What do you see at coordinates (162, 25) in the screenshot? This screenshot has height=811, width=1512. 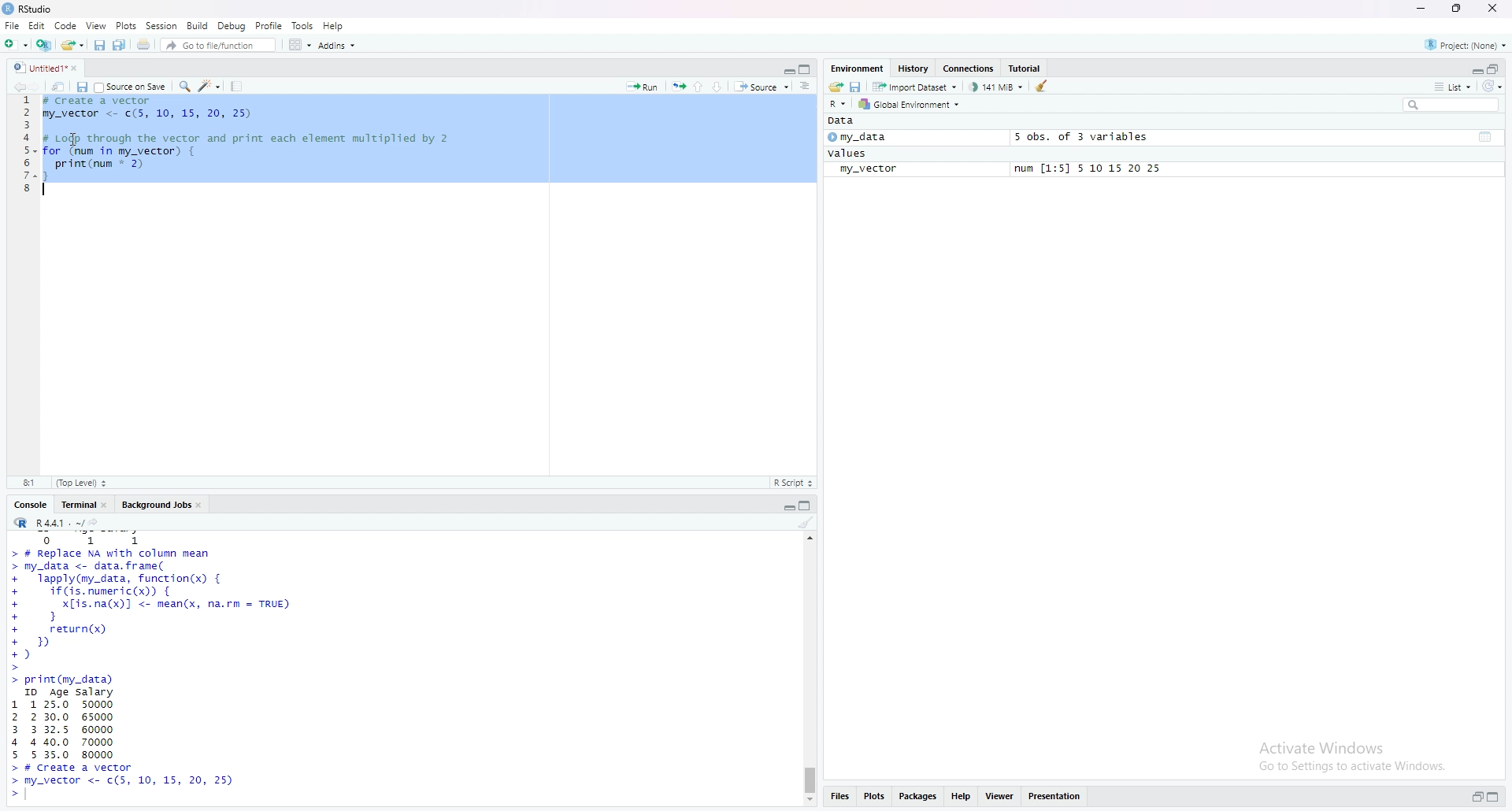 I see `session` at bounding box center [162, 25].